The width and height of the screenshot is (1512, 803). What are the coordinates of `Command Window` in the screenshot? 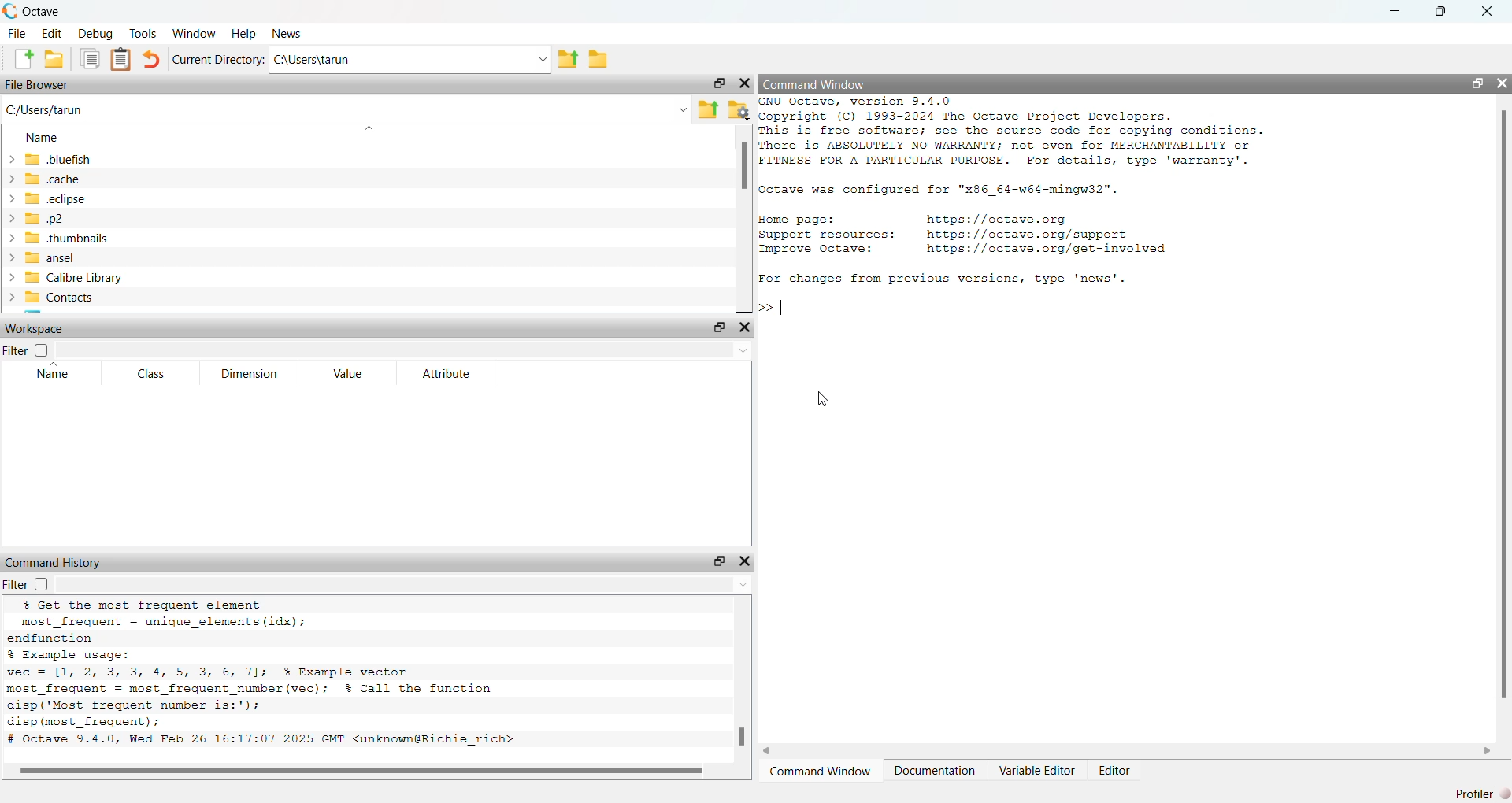 It's located at (824, 771).